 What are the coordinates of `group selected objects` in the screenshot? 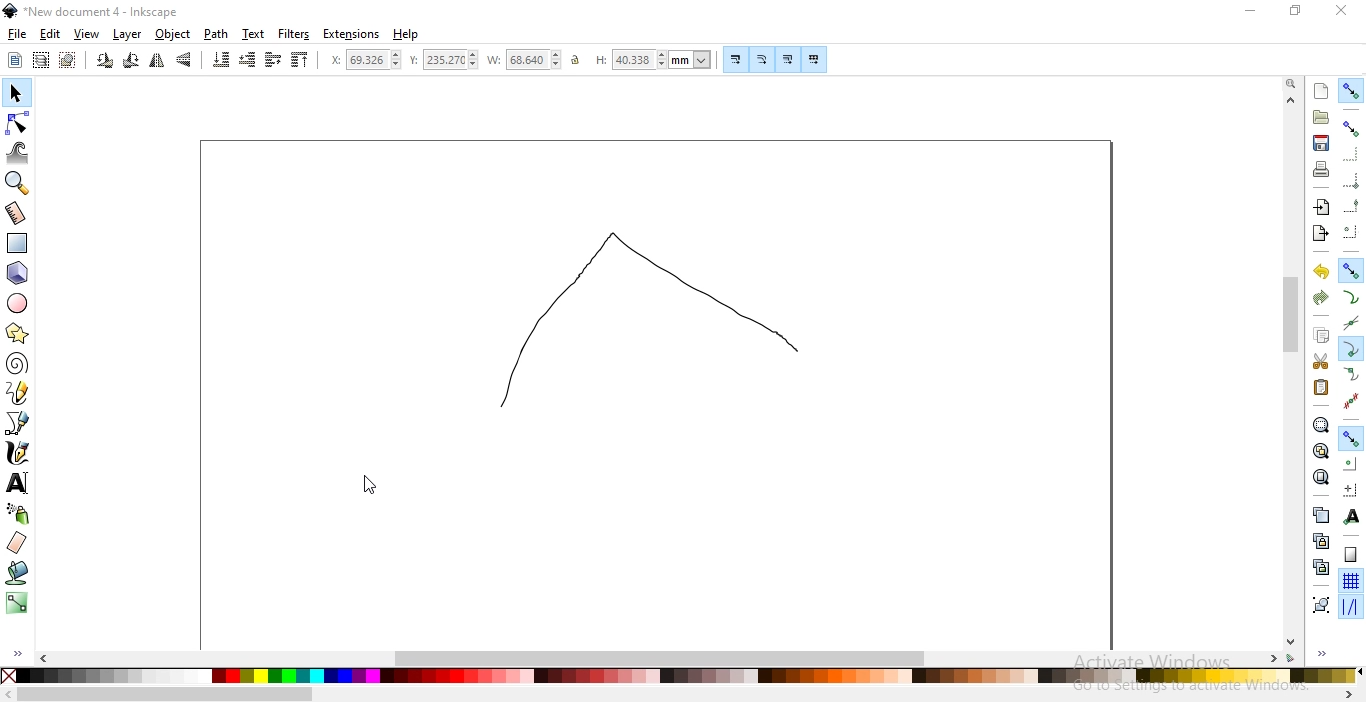 It's located at (1321, 604).